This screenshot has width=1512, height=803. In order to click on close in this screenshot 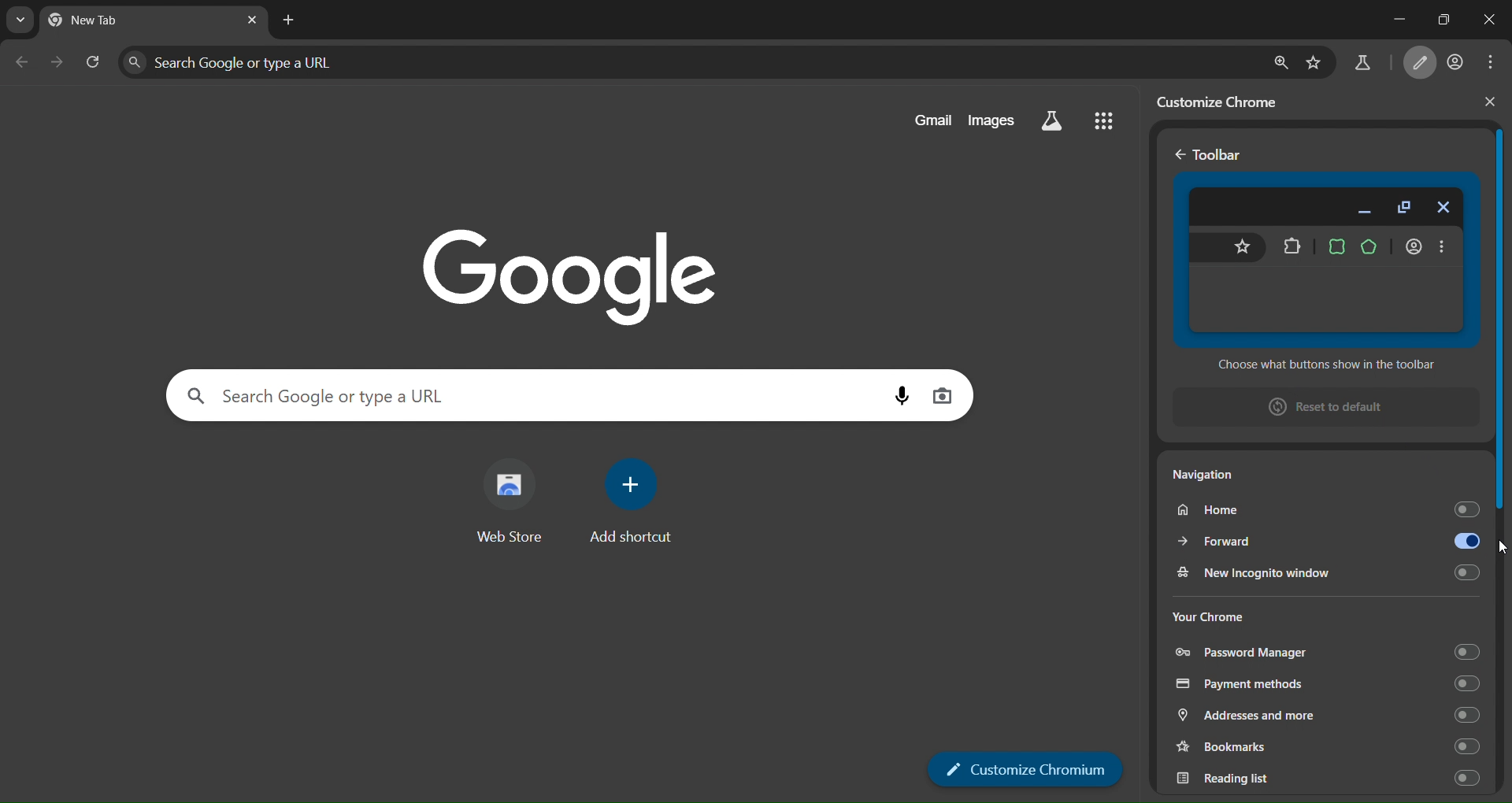, I will do `click(1483, 20)`.